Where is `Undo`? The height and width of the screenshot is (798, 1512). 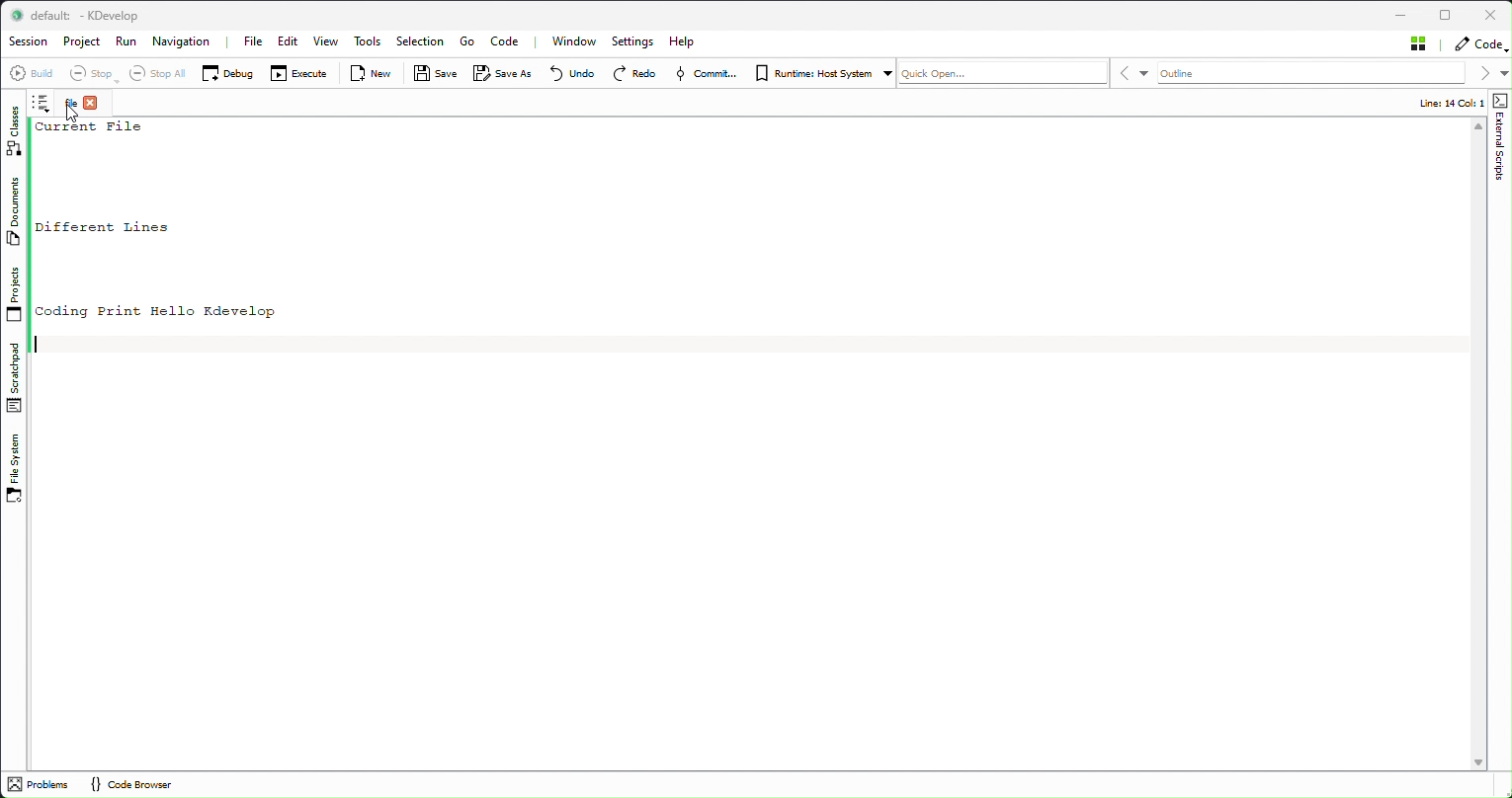
Undo is located at coordinates (574, 75).